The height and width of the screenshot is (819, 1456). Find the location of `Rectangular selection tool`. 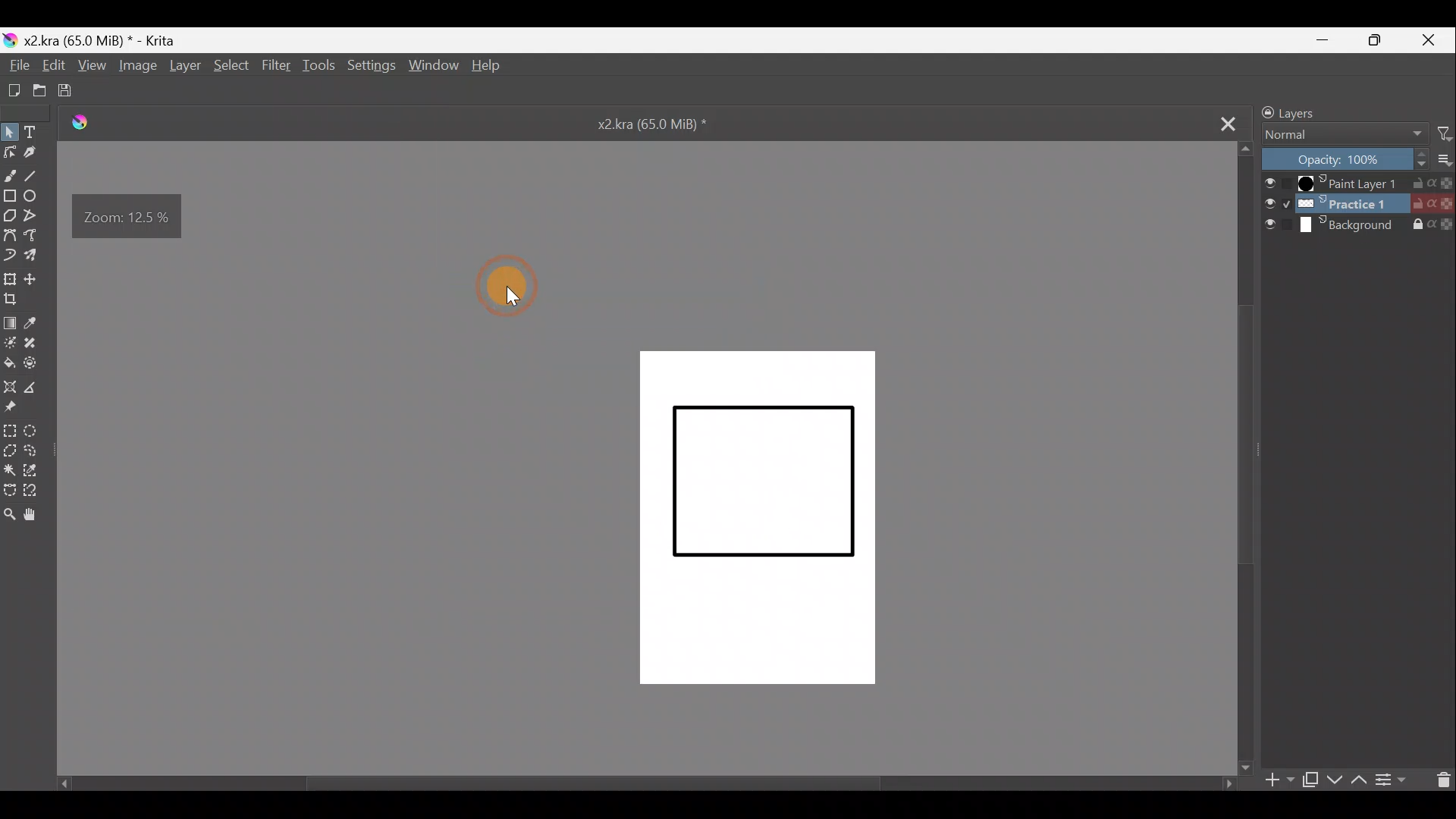

Rectangular selection tool is located at coordinates (9, 430).